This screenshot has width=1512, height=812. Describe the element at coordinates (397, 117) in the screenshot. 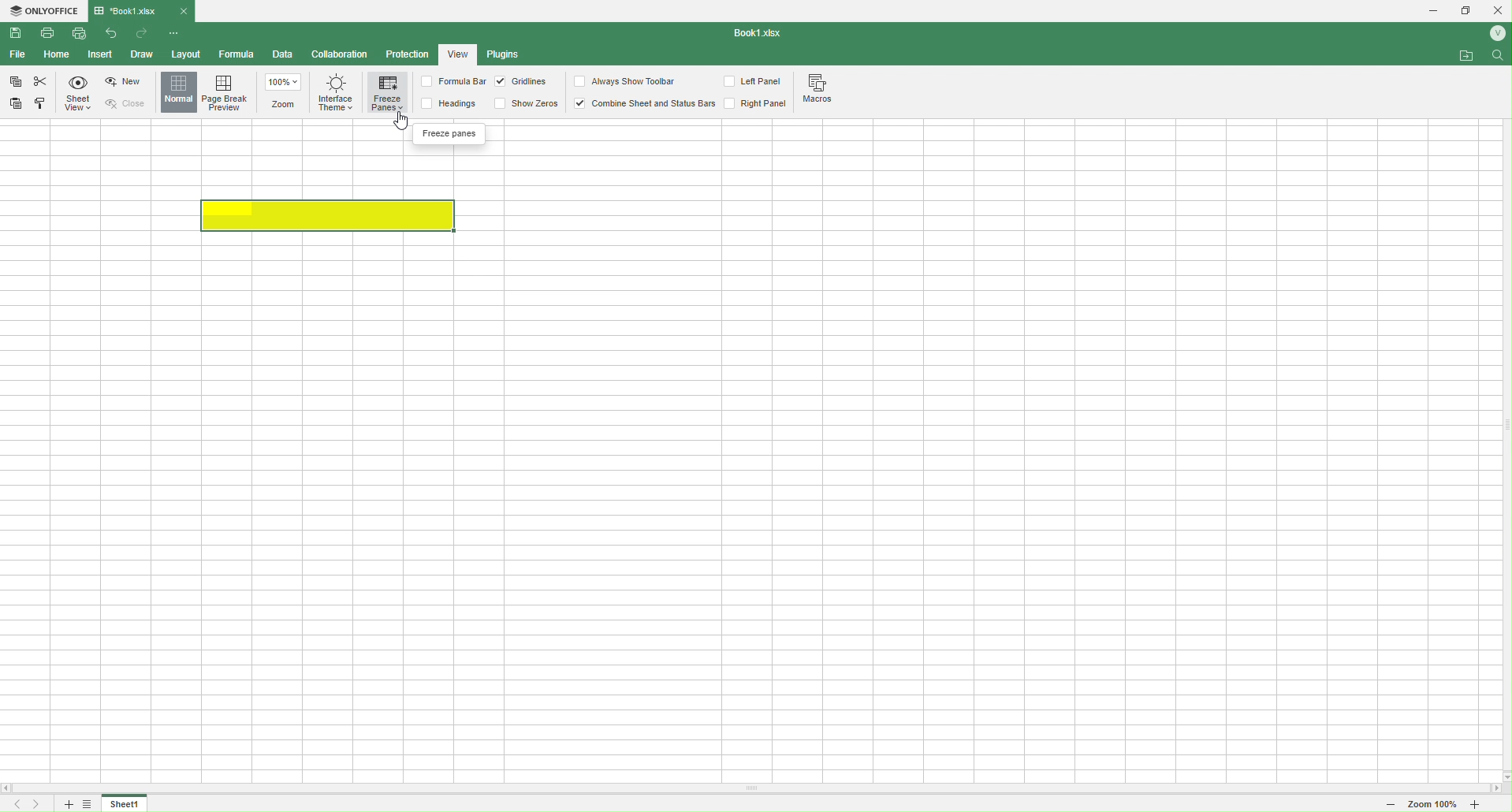

I see `Cursor on freeze panes` at that location.